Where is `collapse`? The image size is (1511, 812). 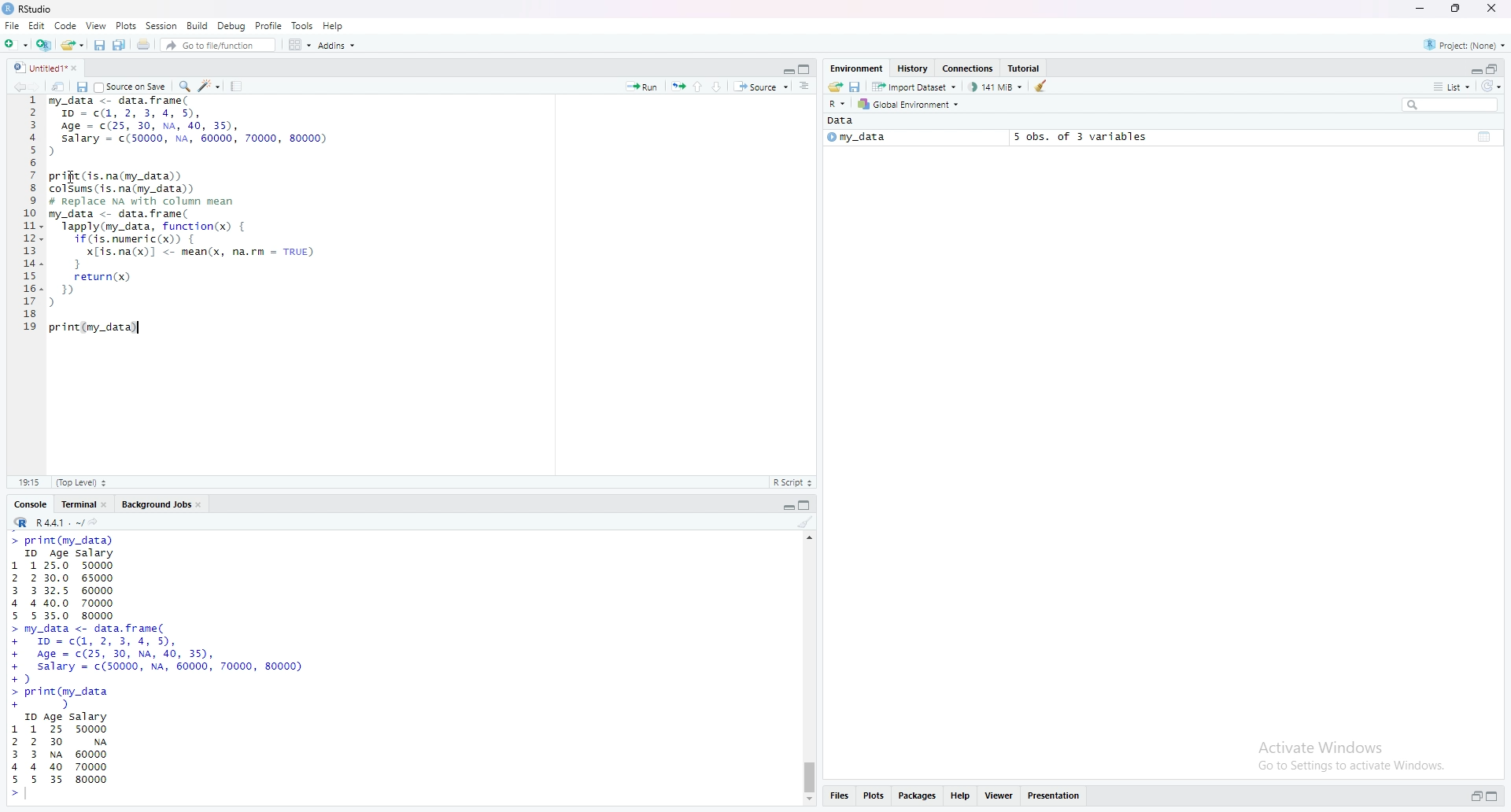 collapse is located at coordinates (807, 69).